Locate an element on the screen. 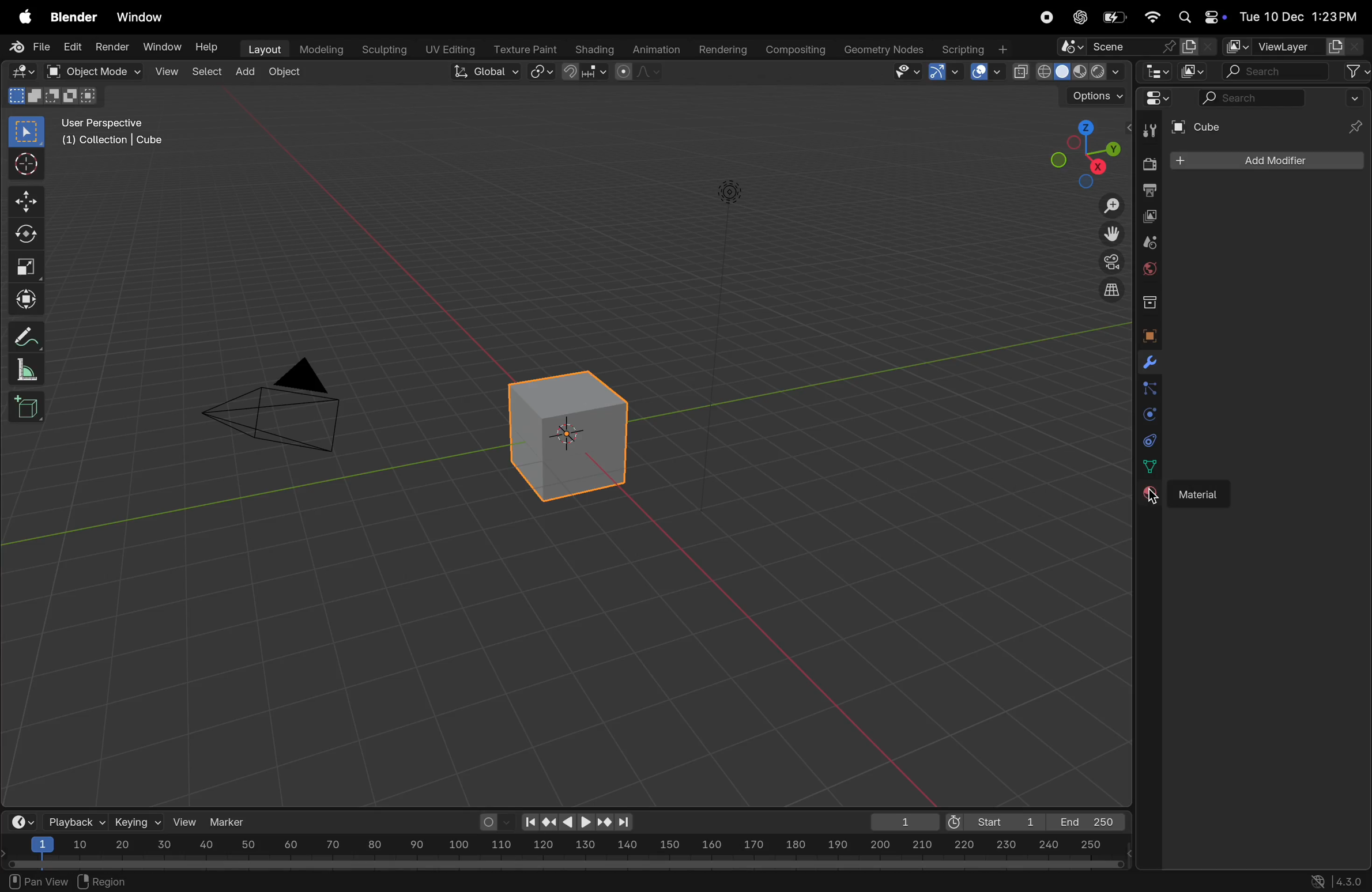  world is located at coordinates (1149, 267).